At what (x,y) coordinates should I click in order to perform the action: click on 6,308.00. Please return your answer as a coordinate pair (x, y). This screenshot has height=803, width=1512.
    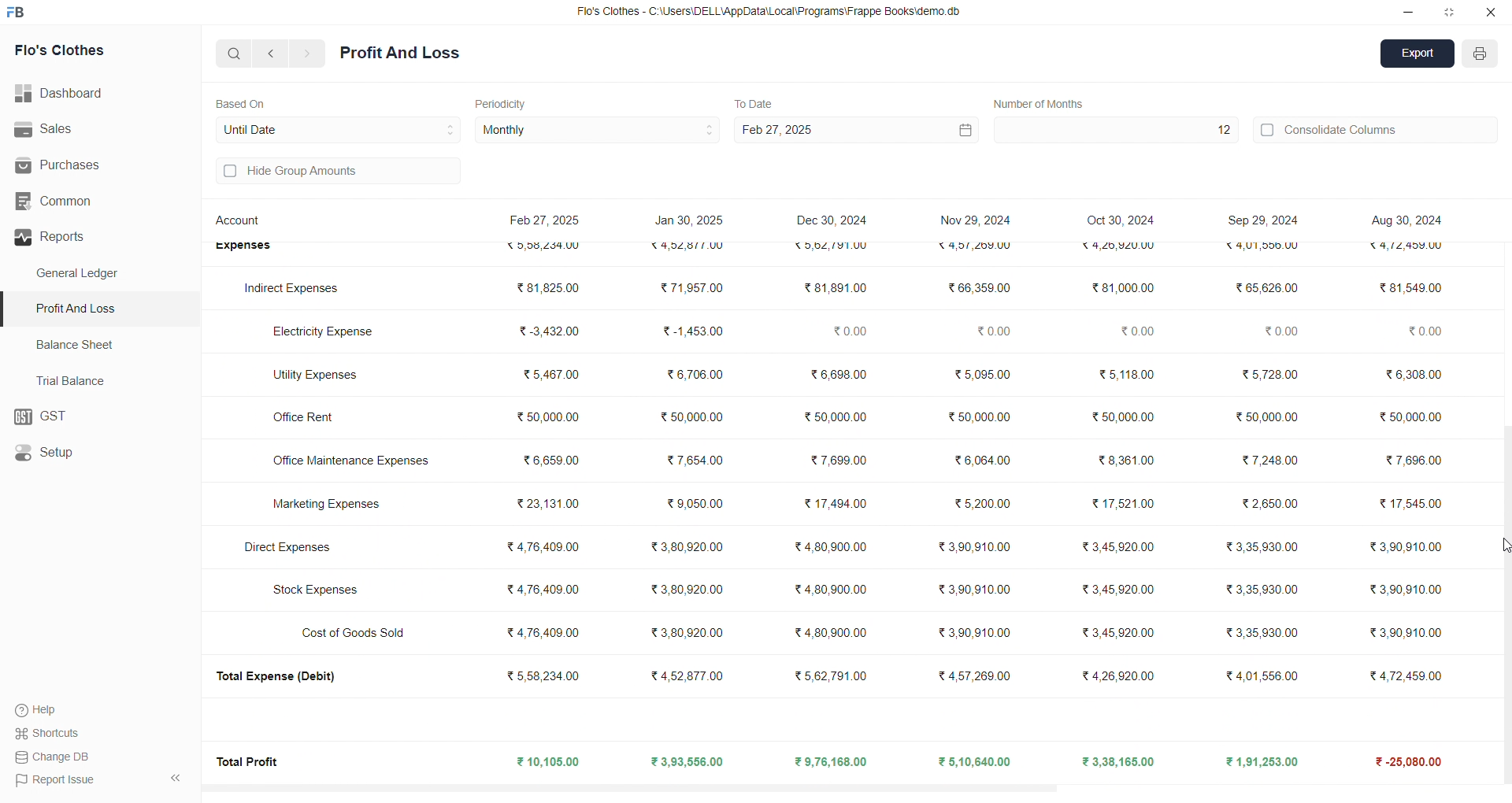
    Looking at the image, I should click on (1408, 376).